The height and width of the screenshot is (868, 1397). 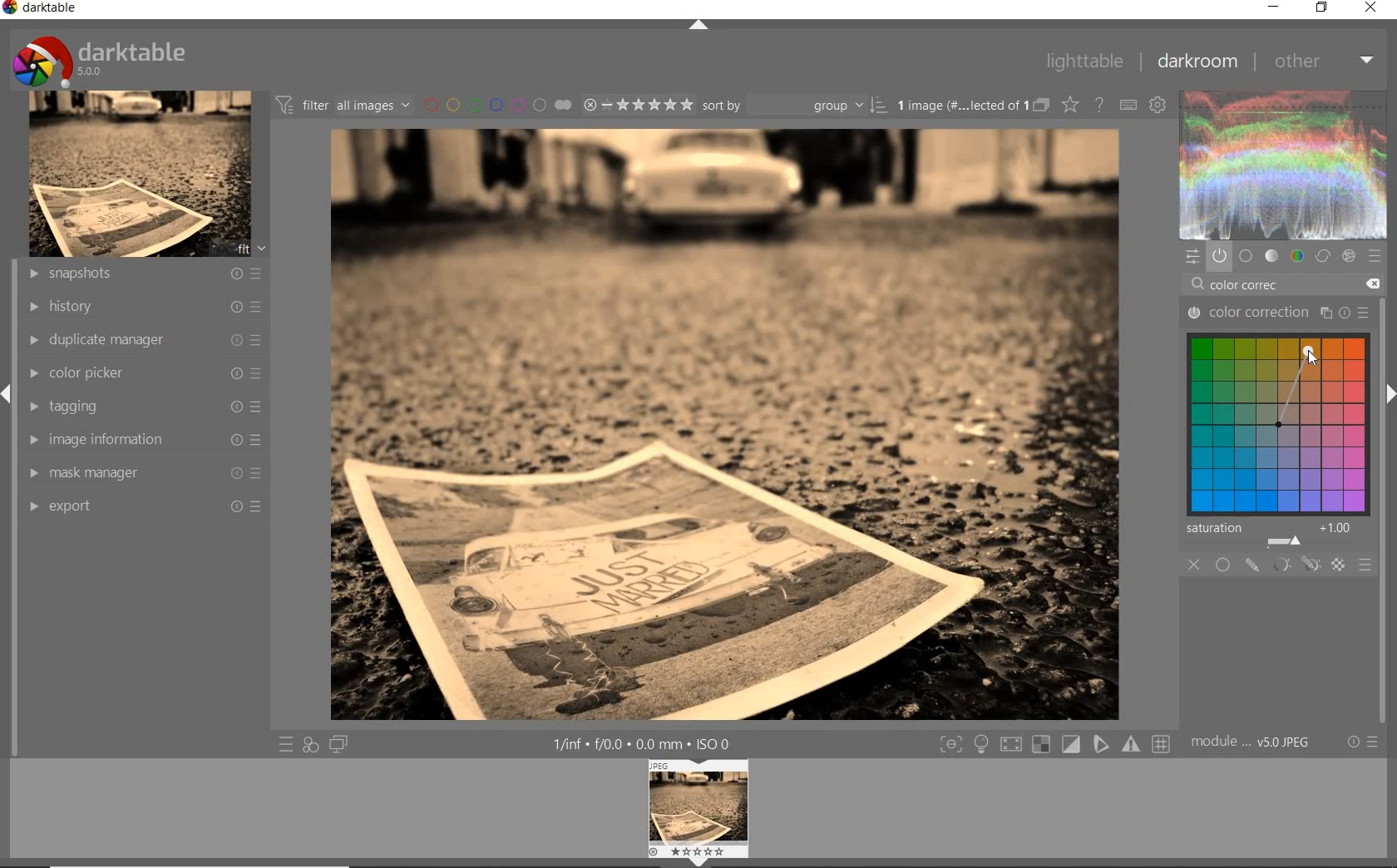 What do you see at coordinates (1309, 355) in the screenshot?
I see `cursor position` at bounding box center [1309, 355].